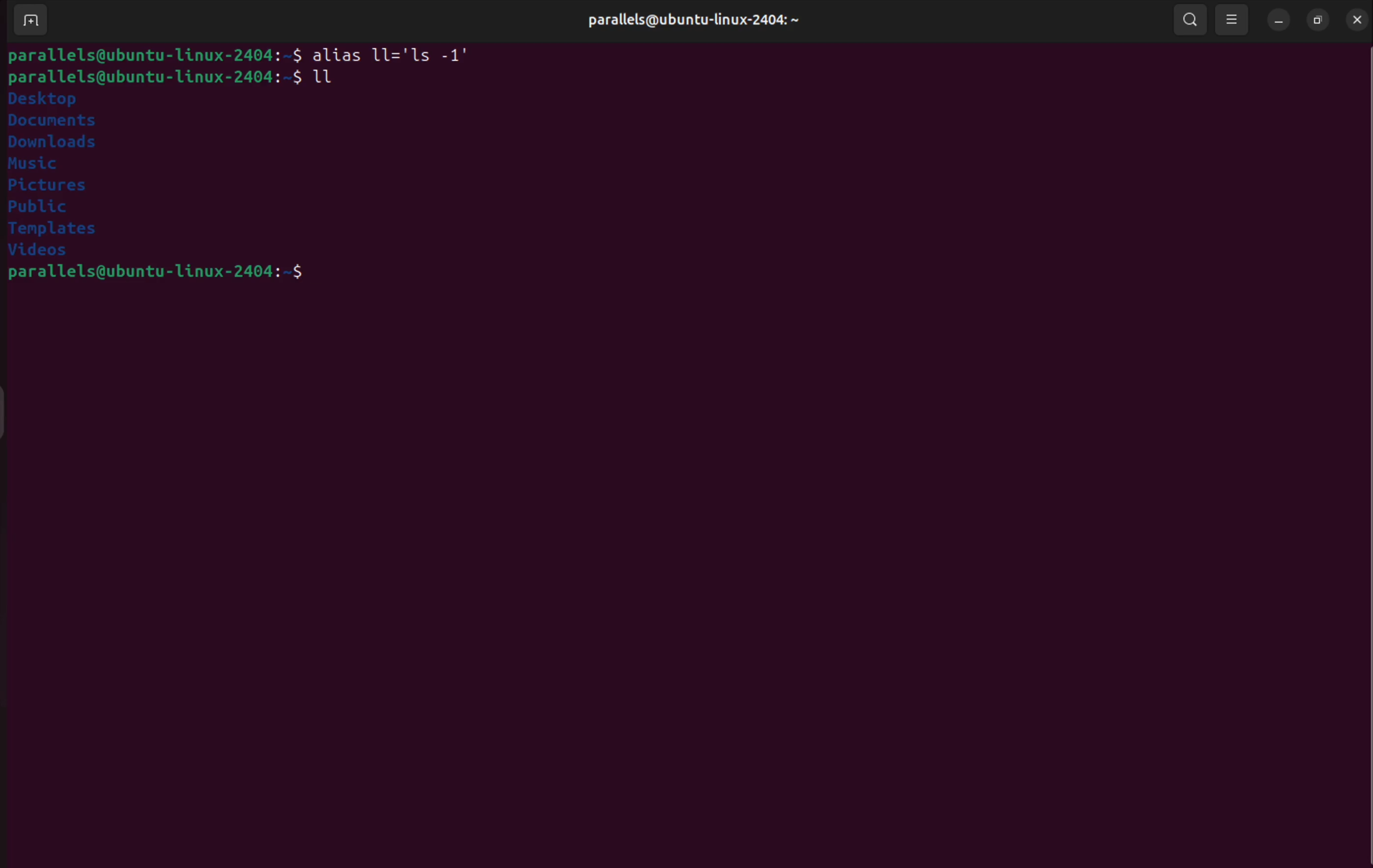  What do you see at coordinates (54, 121) in the screenshot?
I see `documents` at bounding box center [54, 121].